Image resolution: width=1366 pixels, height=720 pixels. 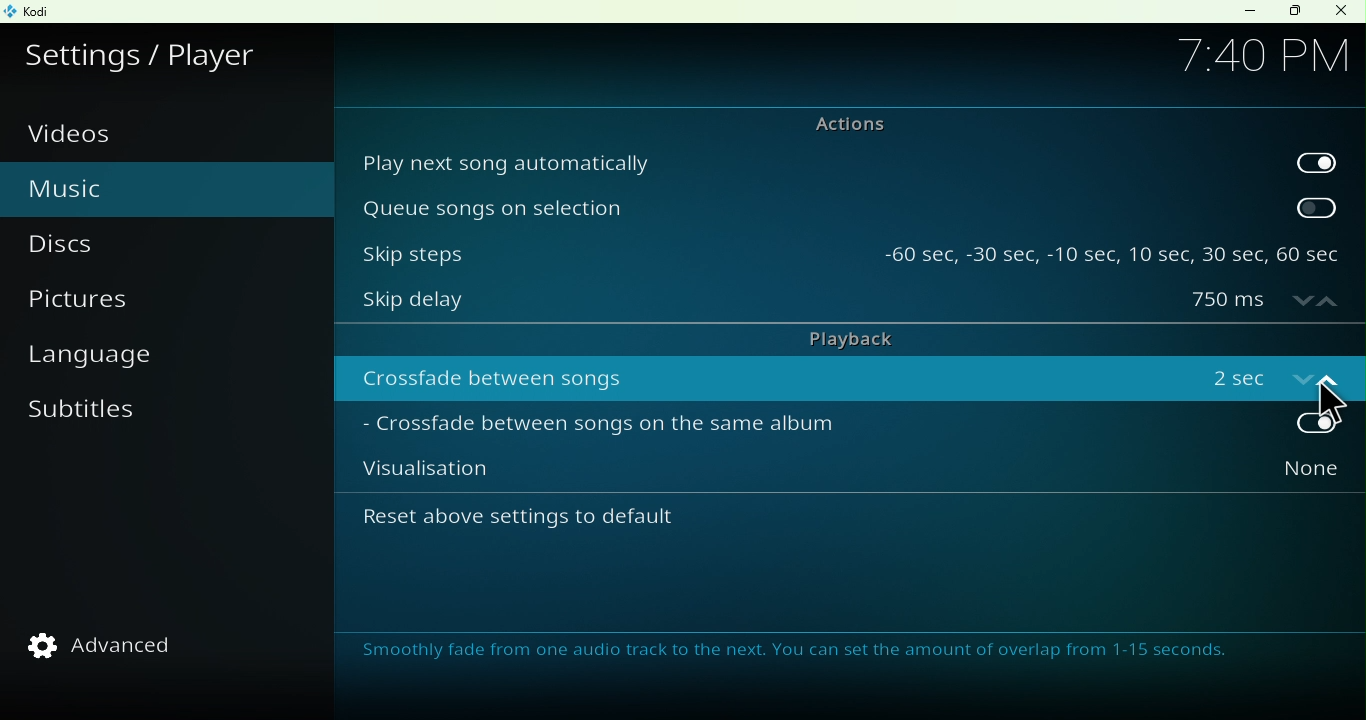 What do you see at coordinates (109, 305) in the screenshot?
I see `Pictures` at bounding box center [109, 305].